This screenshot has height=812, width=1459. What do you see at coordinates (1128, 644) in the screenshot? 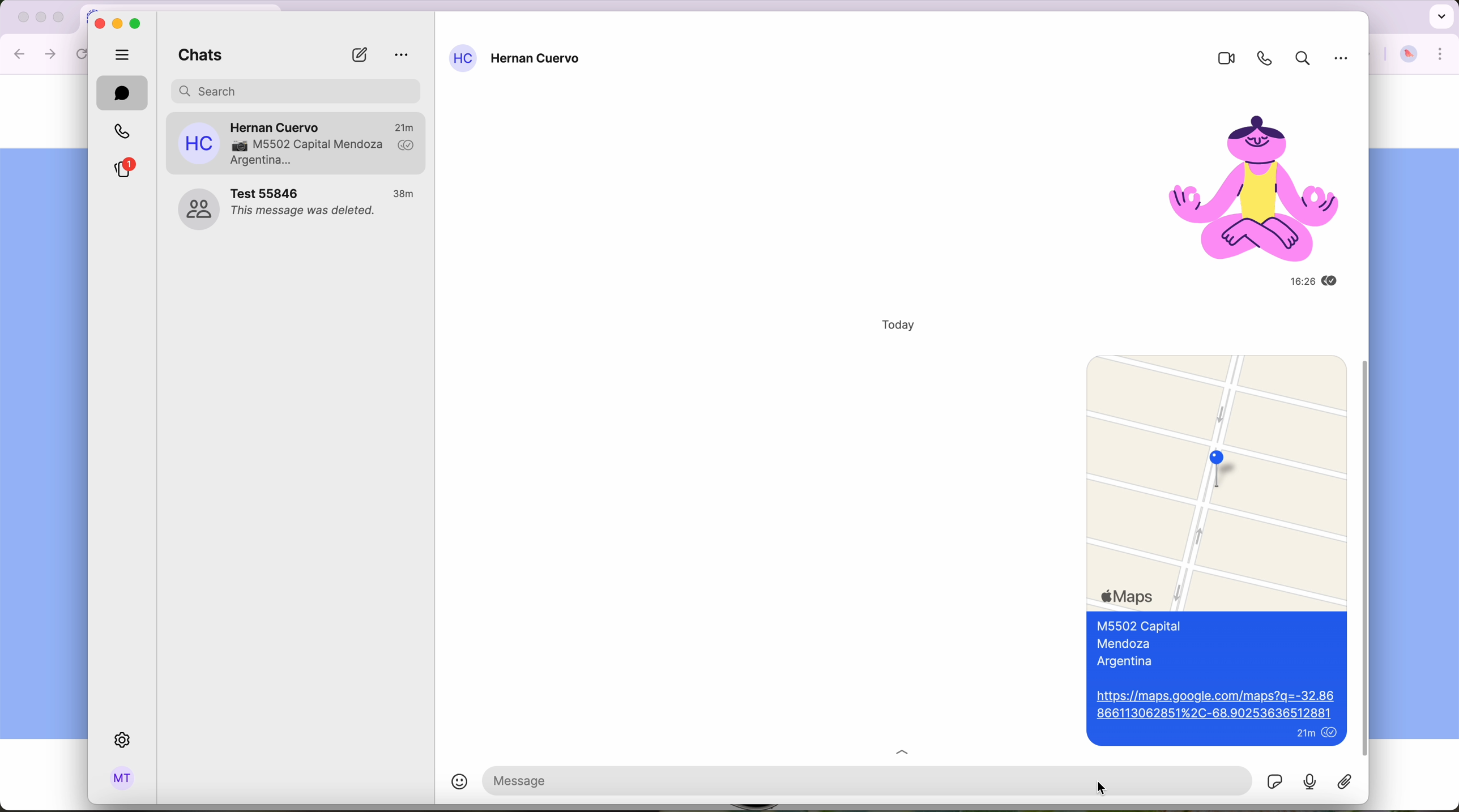
I see `Mendoza` at bounding box center [1128, 644].